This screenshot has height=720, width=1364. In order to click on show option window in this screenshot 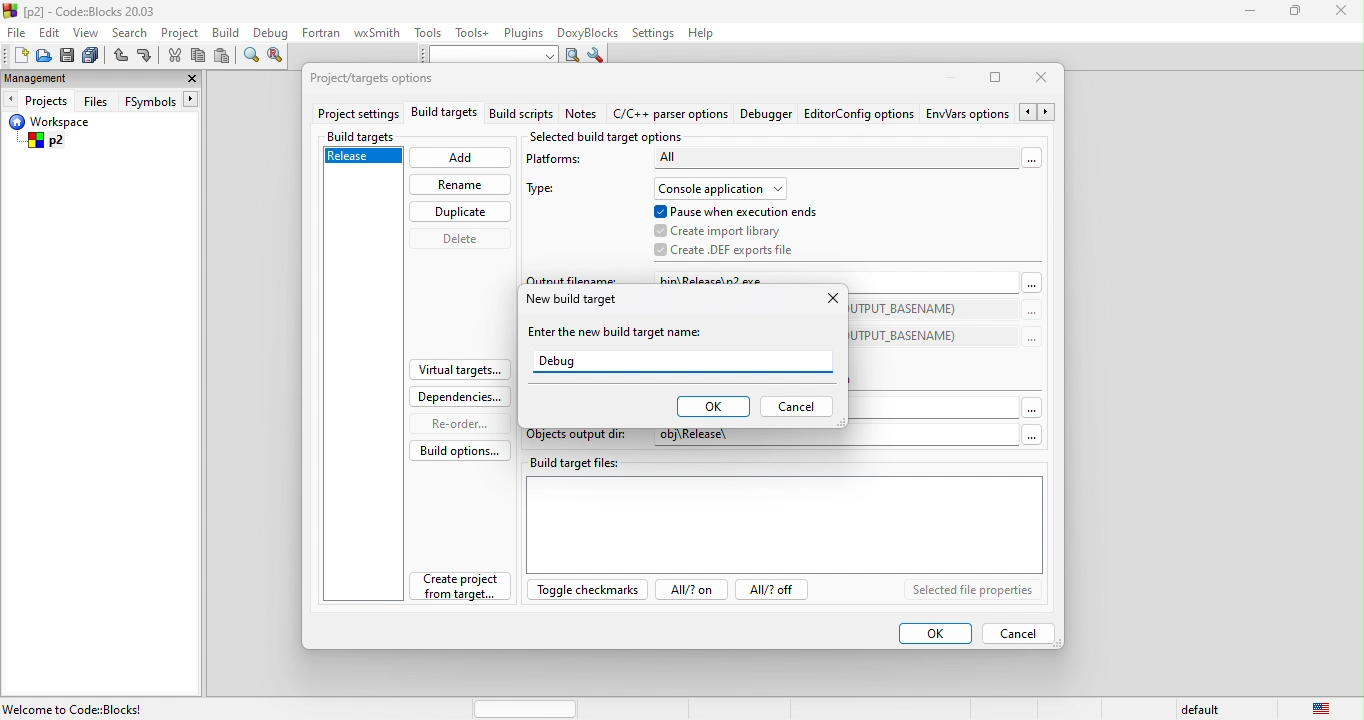, I will do `click(598, 57)`.